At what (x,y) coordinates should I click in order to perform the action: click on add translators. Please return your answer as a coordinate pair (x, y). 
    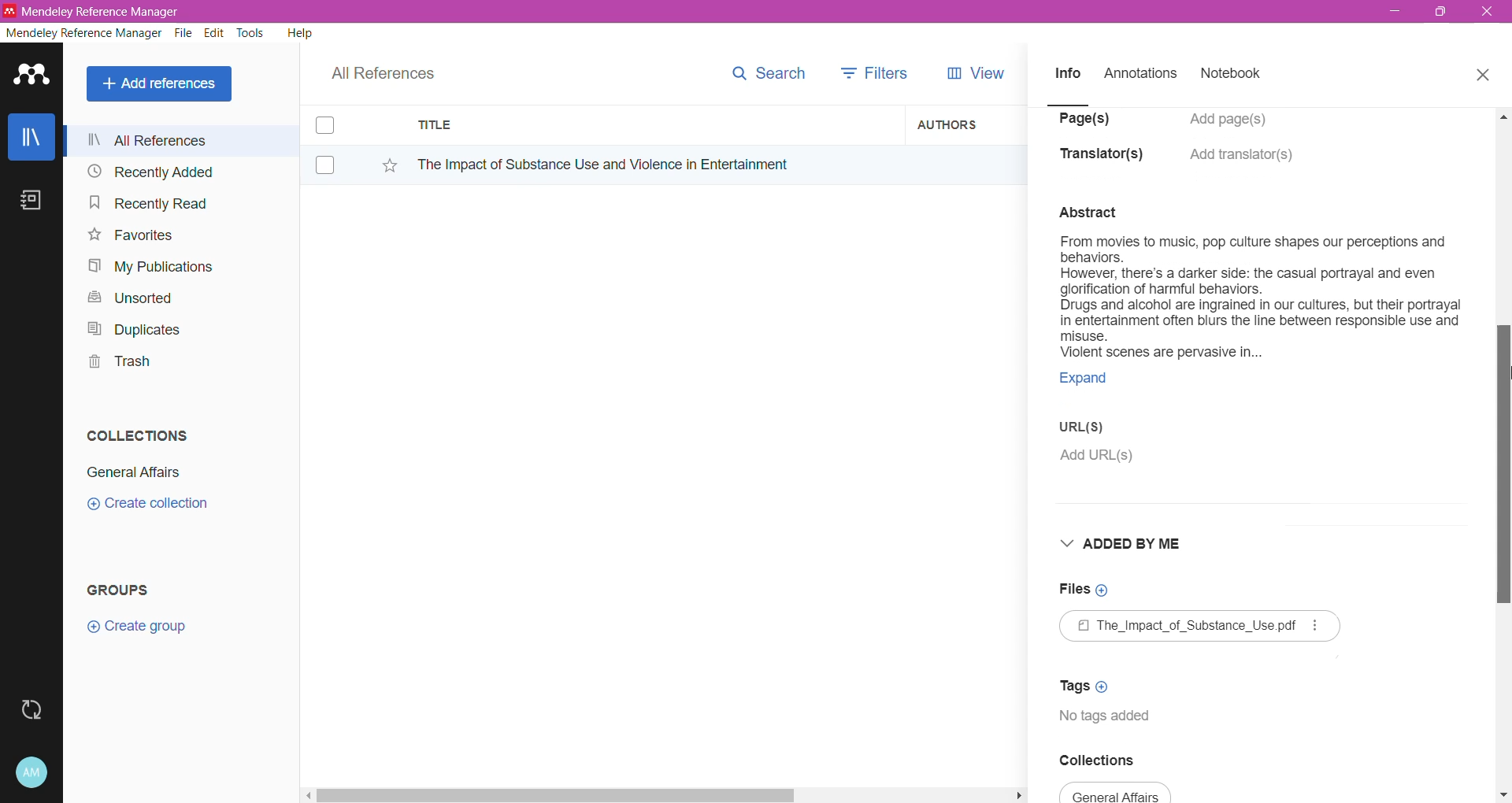
    Looking at the image, I should click on (1250, 158).